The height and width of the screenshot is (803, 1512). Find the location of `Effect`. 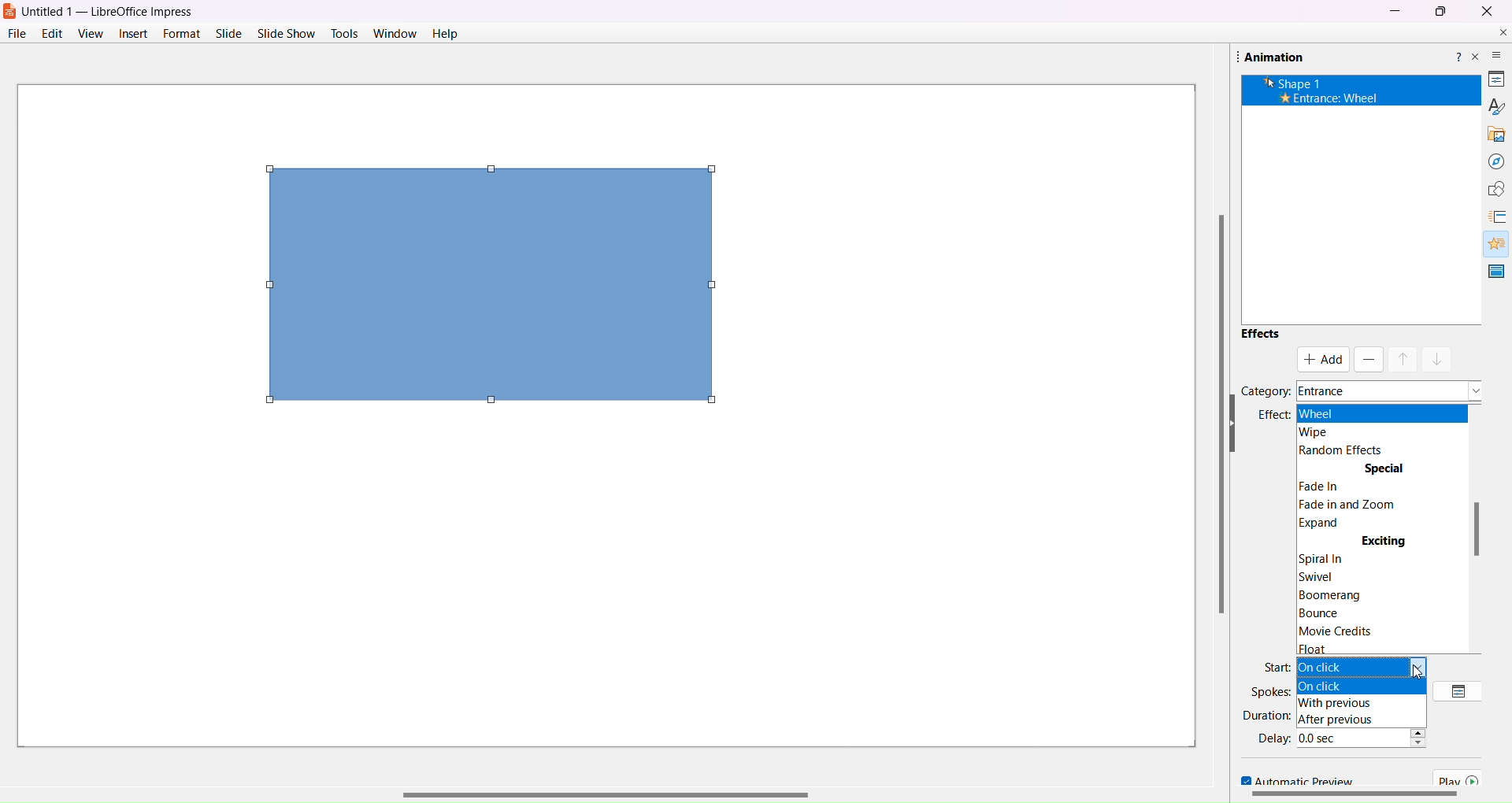

Effect is located at coordinates (1271, 416).